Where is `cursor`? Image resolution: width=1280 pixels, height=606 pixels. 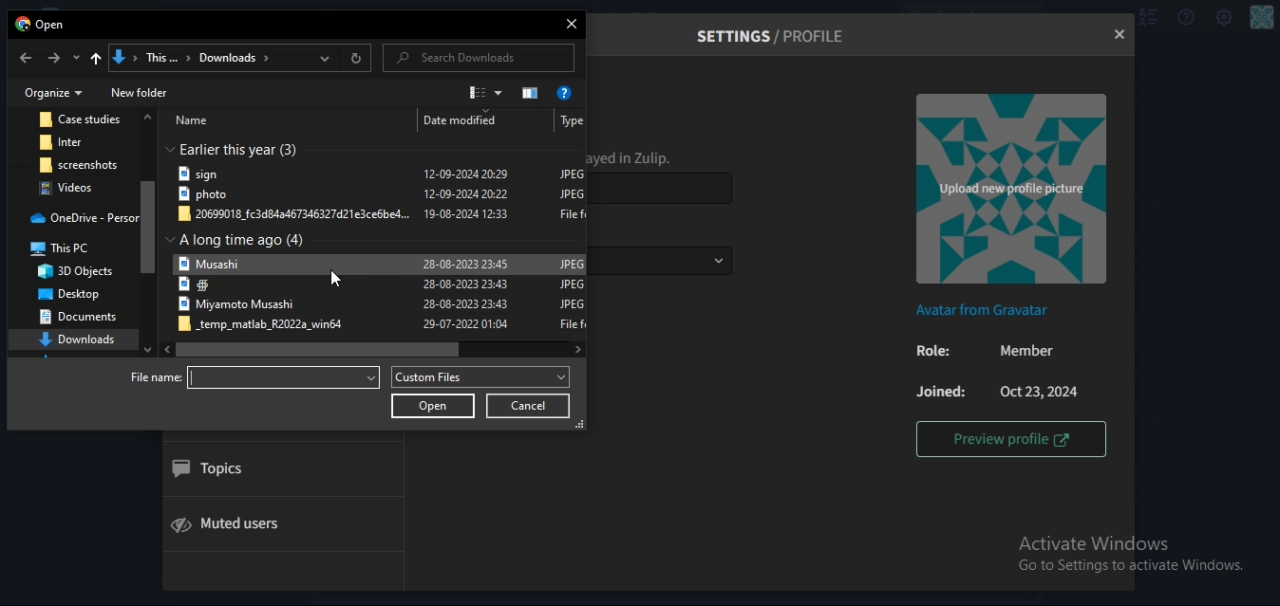
cursor is located at coordinates (341, 277).